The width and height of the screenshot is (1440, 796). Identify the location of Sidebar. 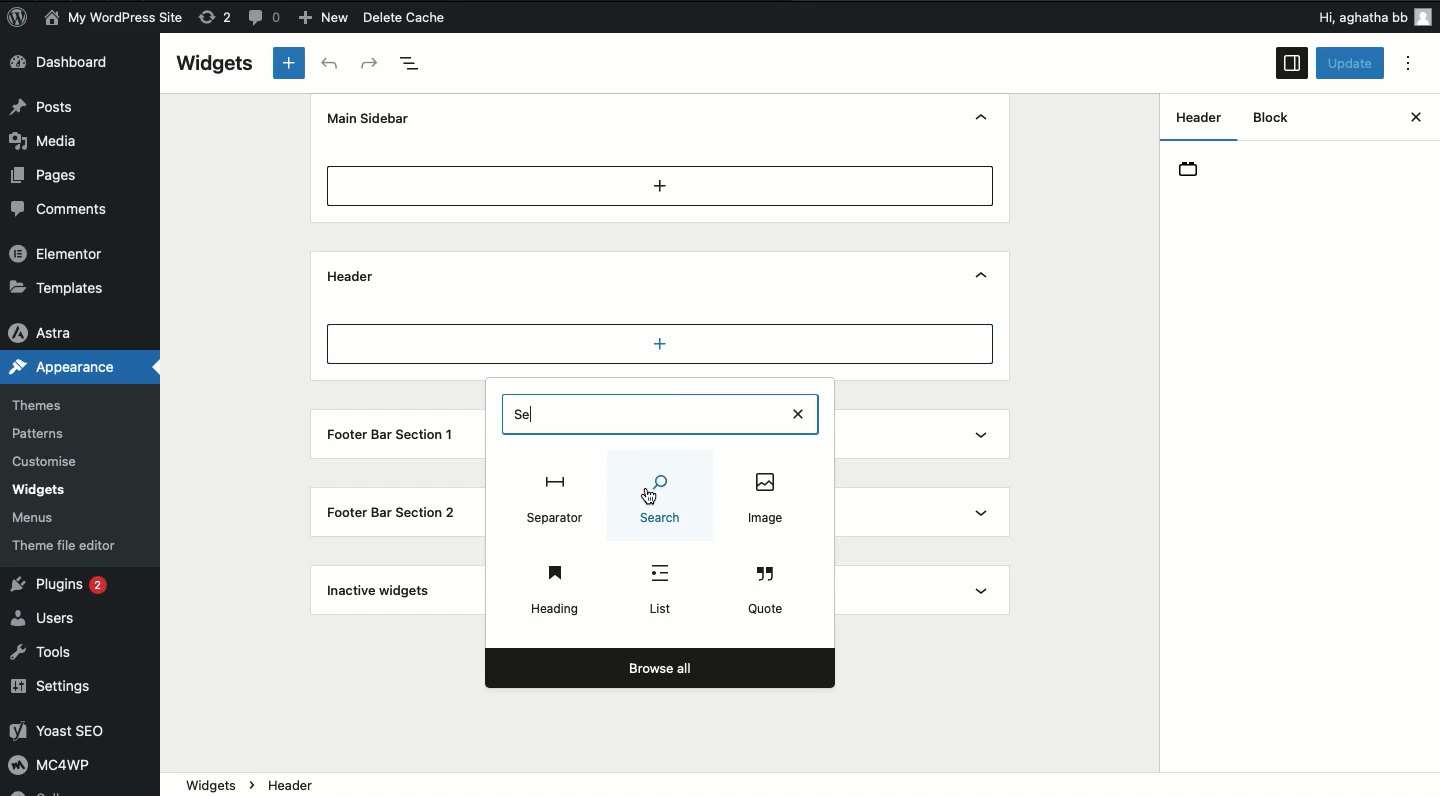
(1291, 64).